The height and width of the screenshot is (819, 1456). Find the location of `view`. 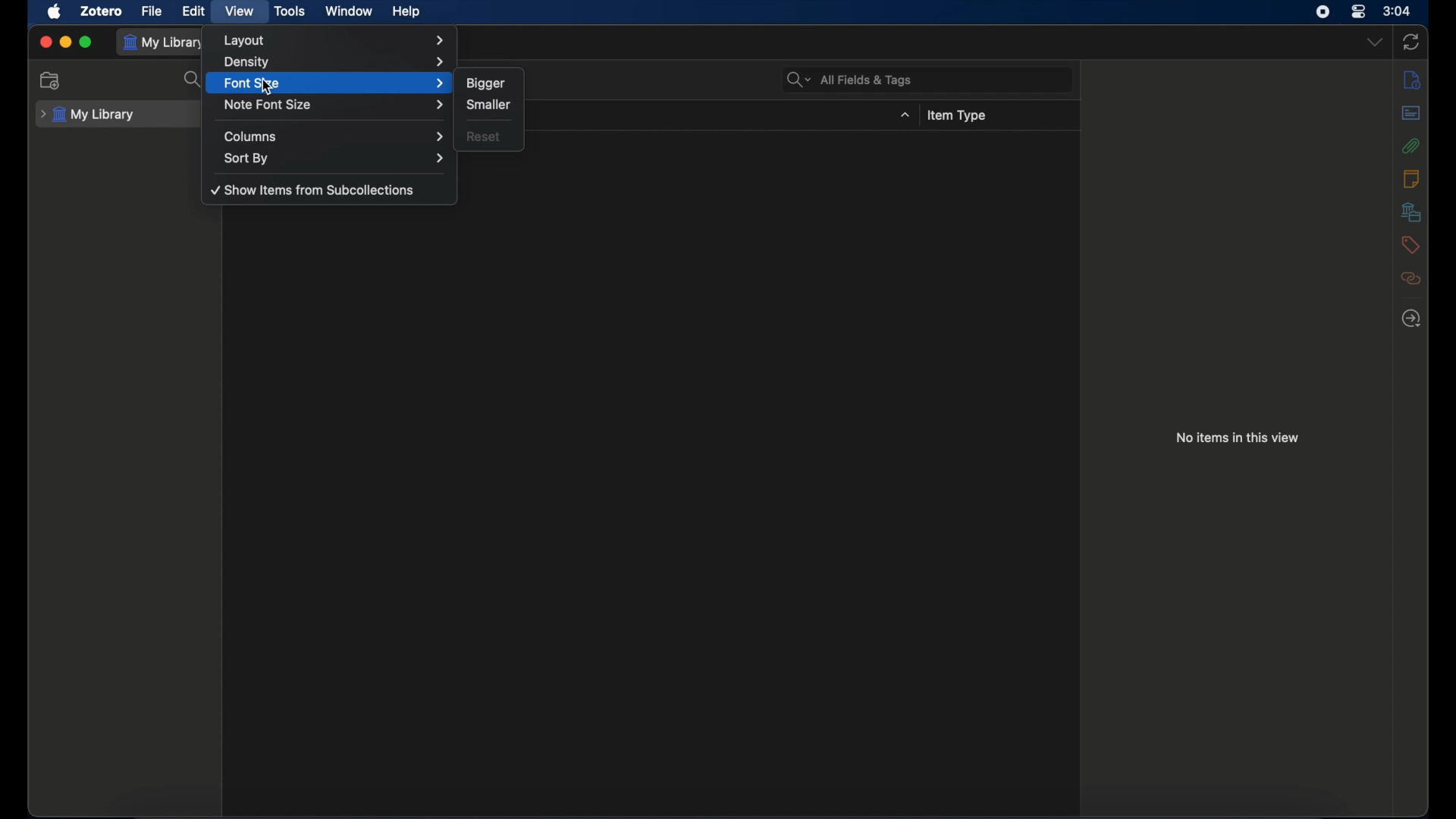

view is located at coordinates (241, 11).